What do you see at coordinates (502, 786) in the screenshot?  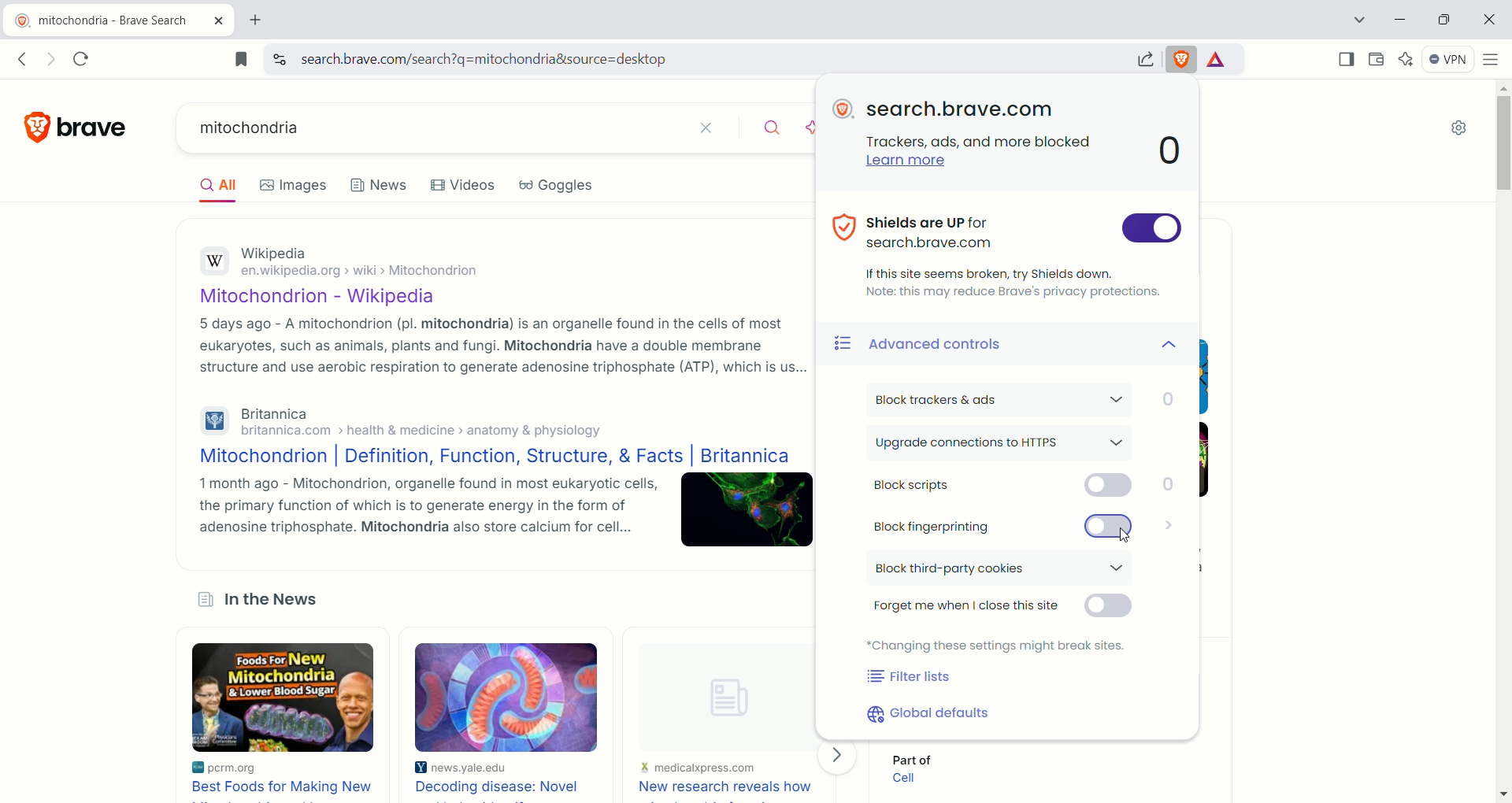 I see `Decoding disease:Novel` at bounding box center [502, 786].